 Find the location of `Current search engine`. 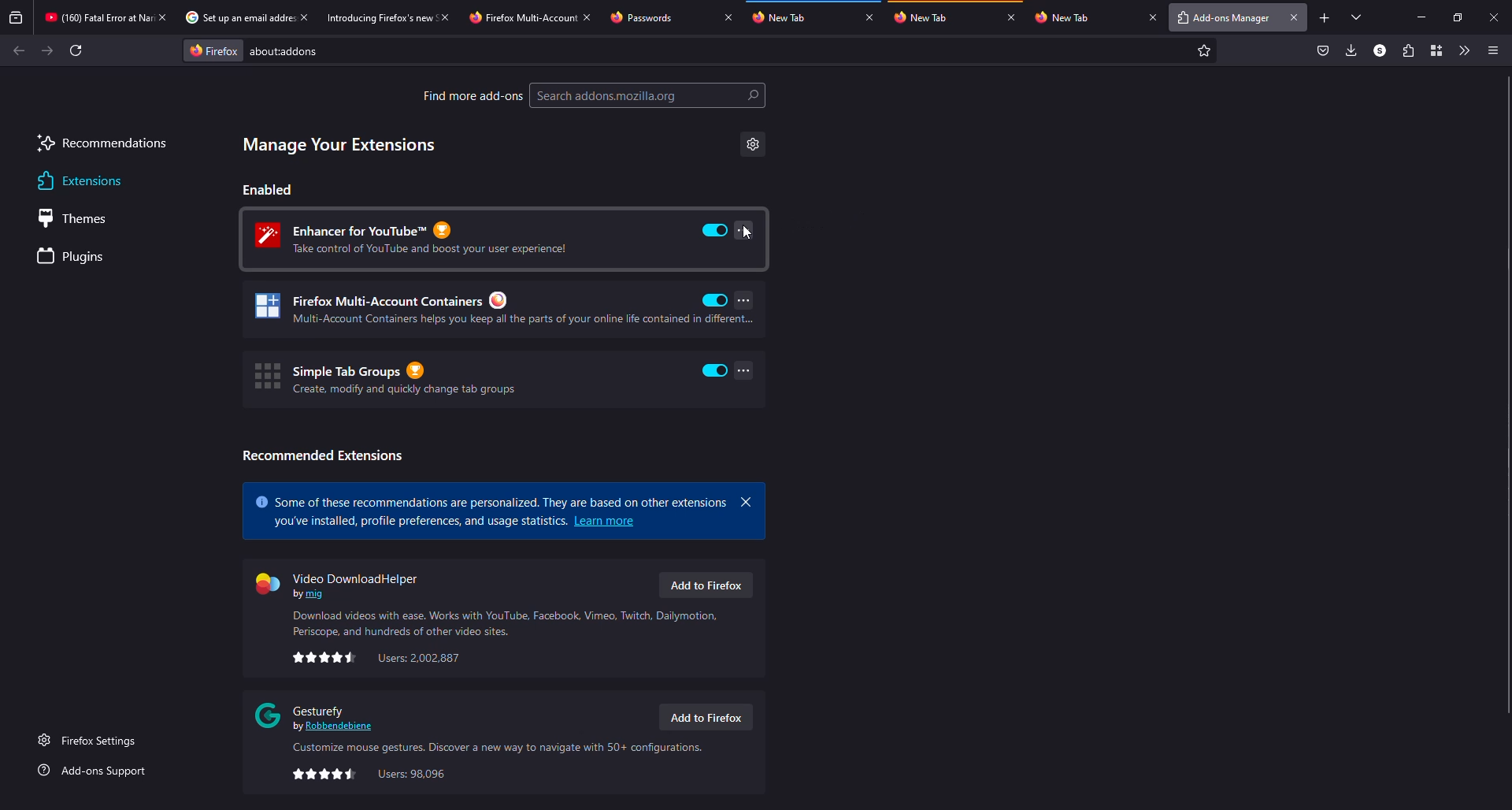

Current search engine is located at coordinates (213, 51).